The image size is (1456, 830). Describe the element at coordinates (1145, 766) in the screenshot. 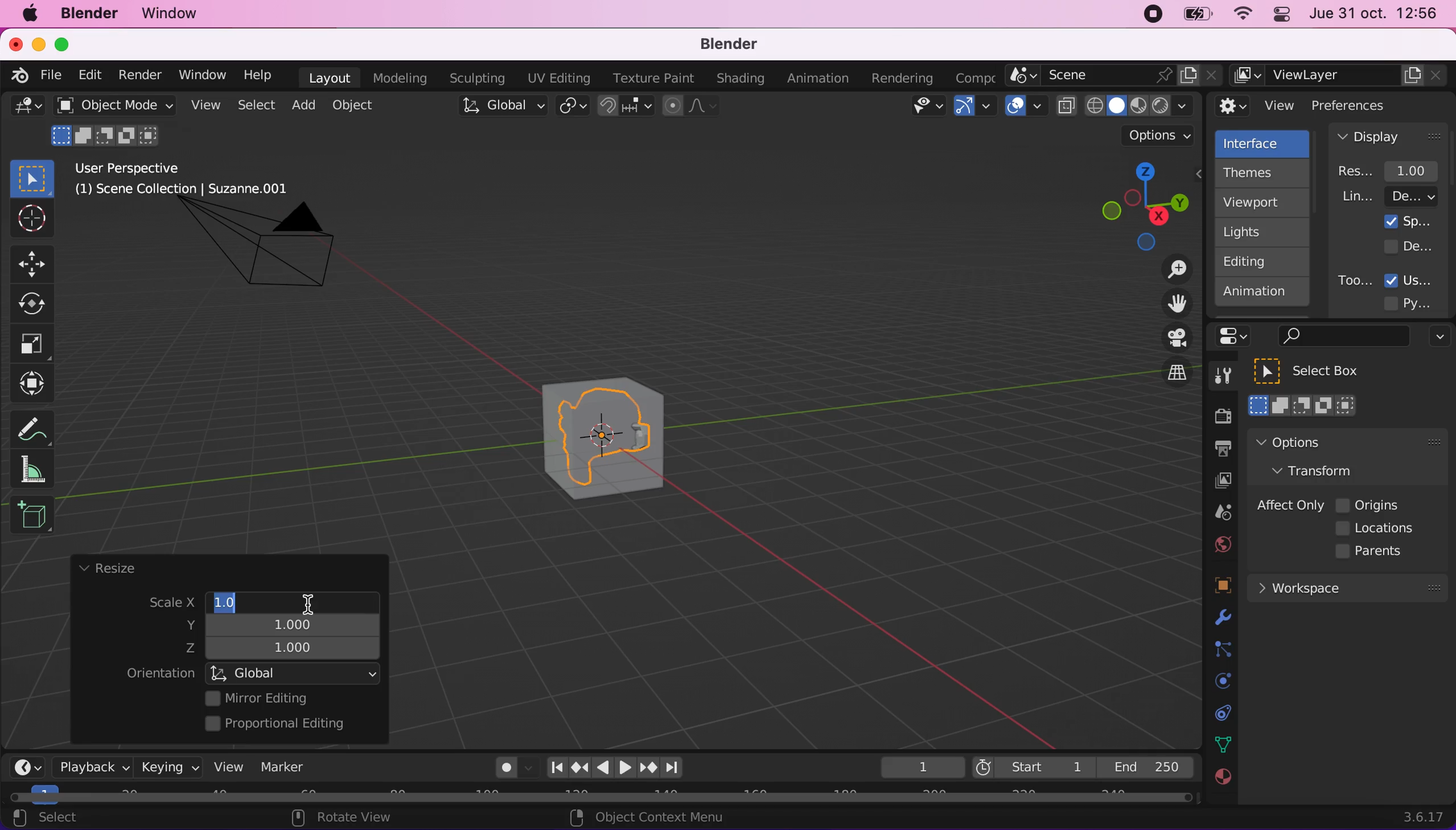

I see `end 250` at that location.